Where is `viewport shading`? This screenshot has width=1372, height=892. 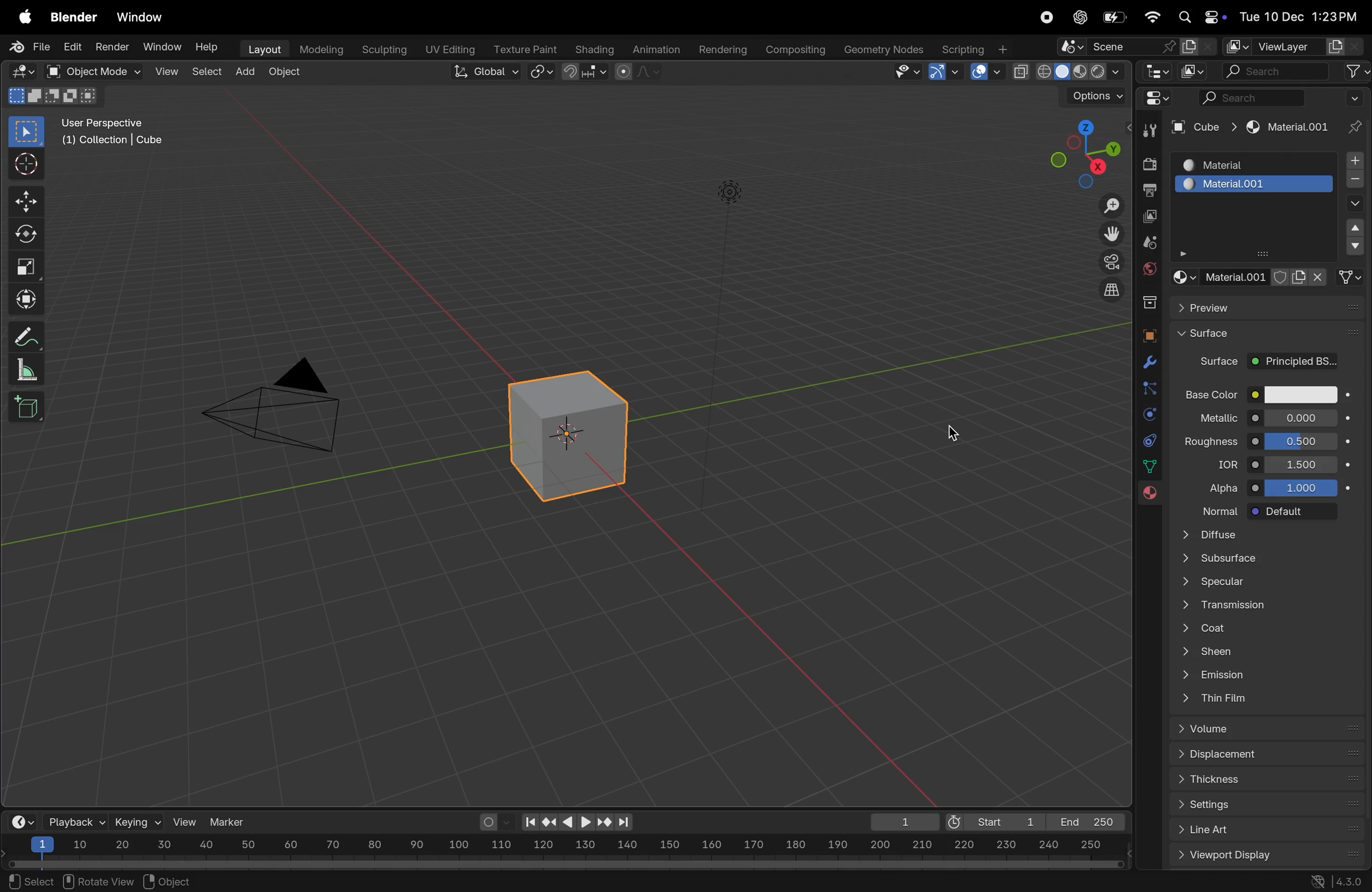 viewport shading is located at coordinates (1068, 69).